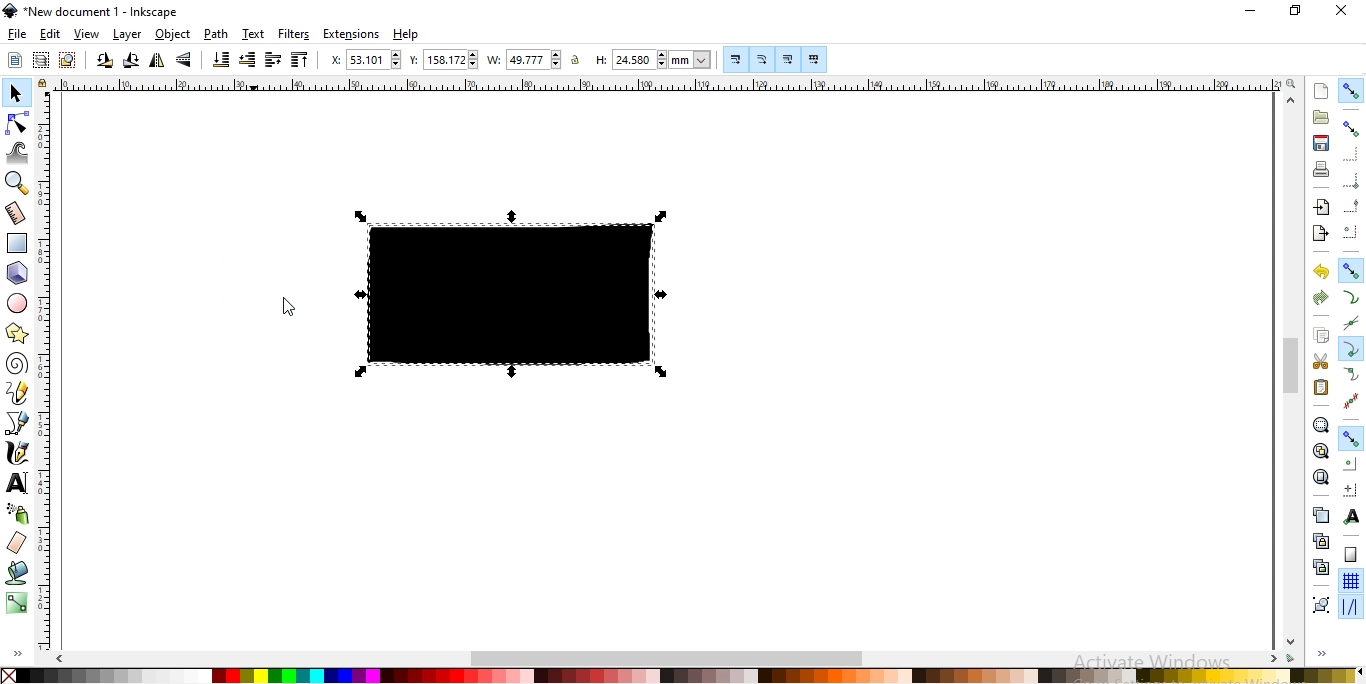  What do you see at coordinates (666, 86) in the screenshot?
I see `ruler` at bounding box center [666, 86].